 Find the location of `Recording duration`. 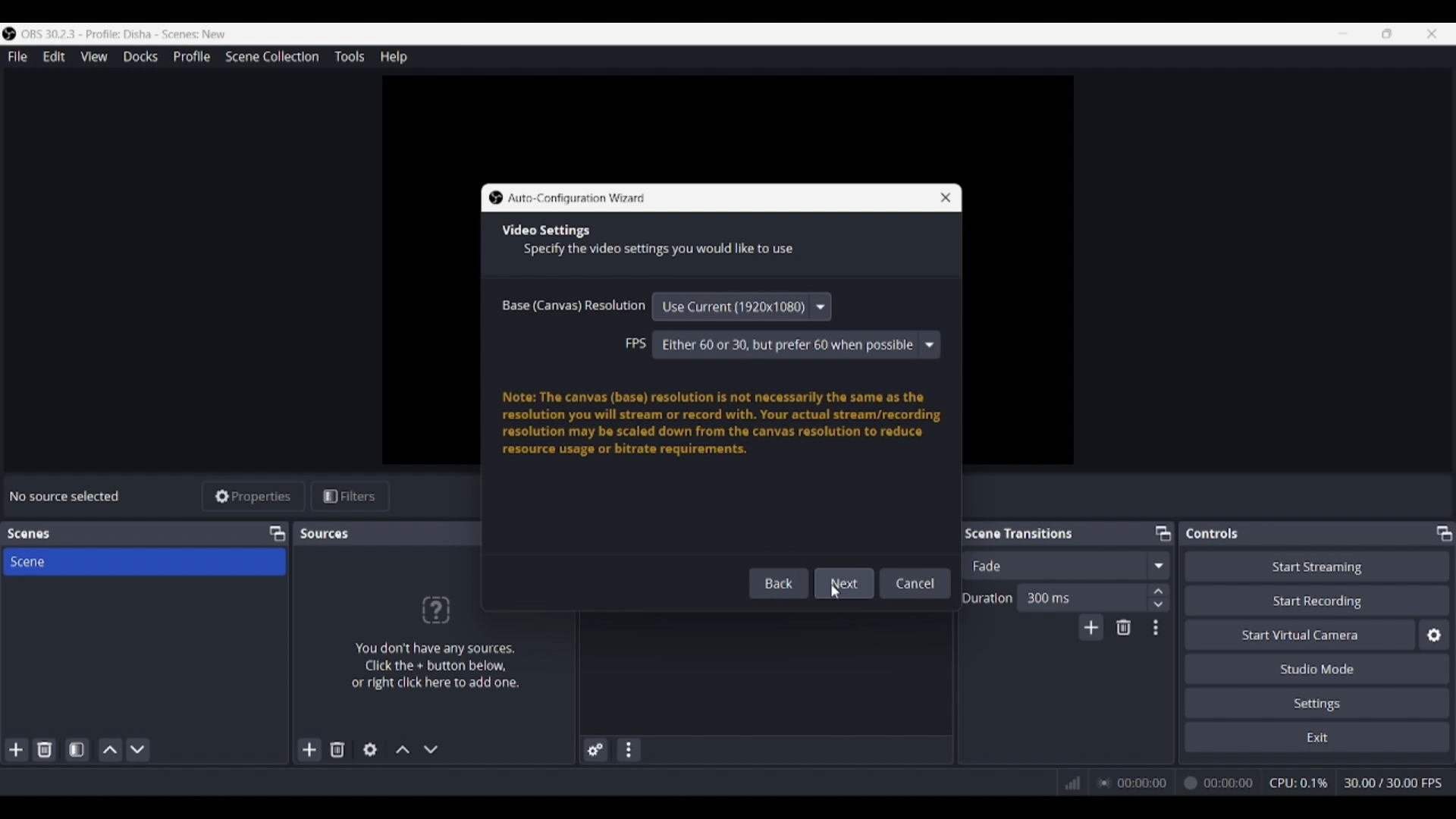

Recording duration is located at coordinates (1175, 783).